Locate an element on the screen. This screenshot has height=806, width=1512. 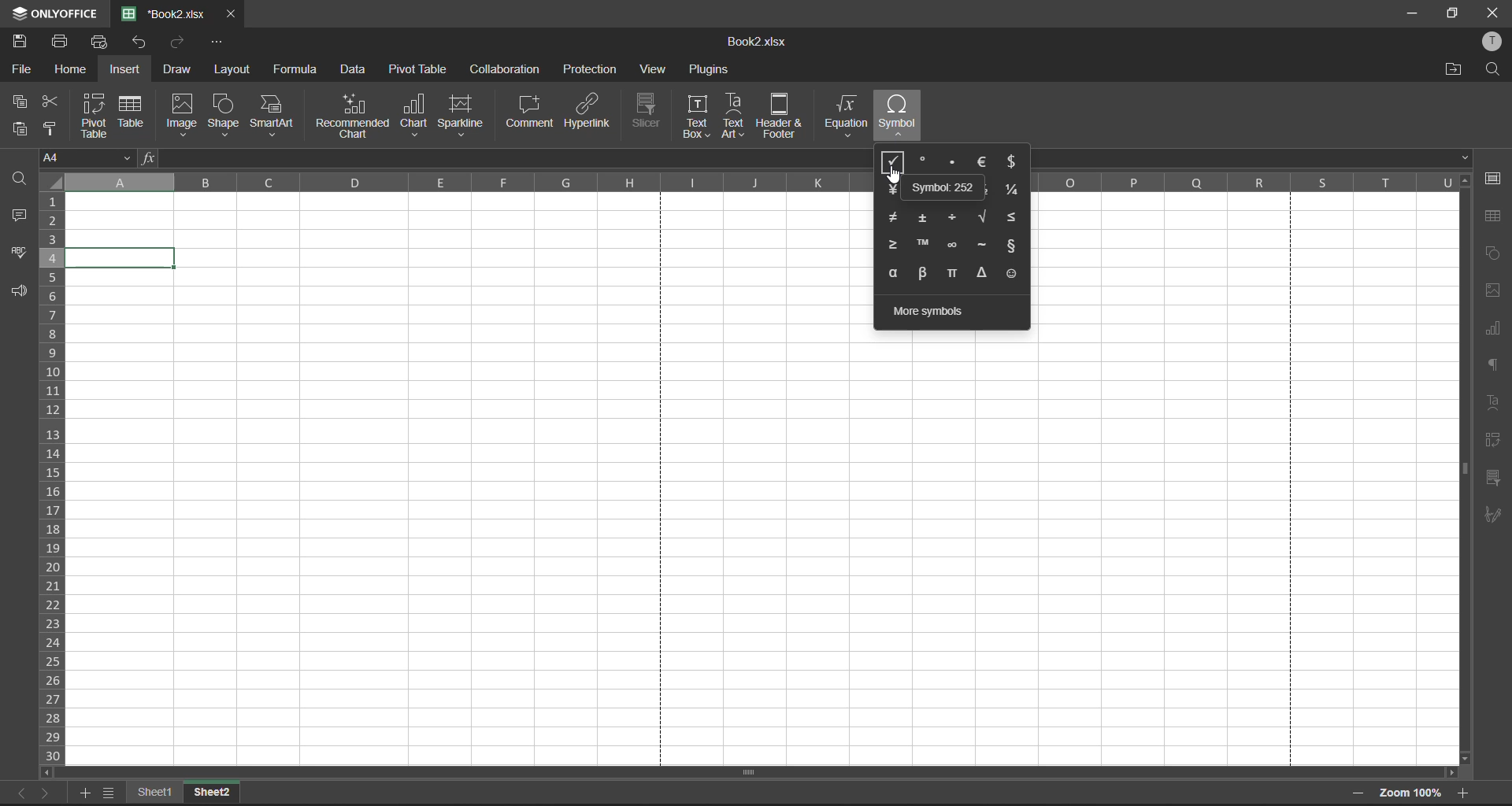
cell address is located at coordinates (87, 159).